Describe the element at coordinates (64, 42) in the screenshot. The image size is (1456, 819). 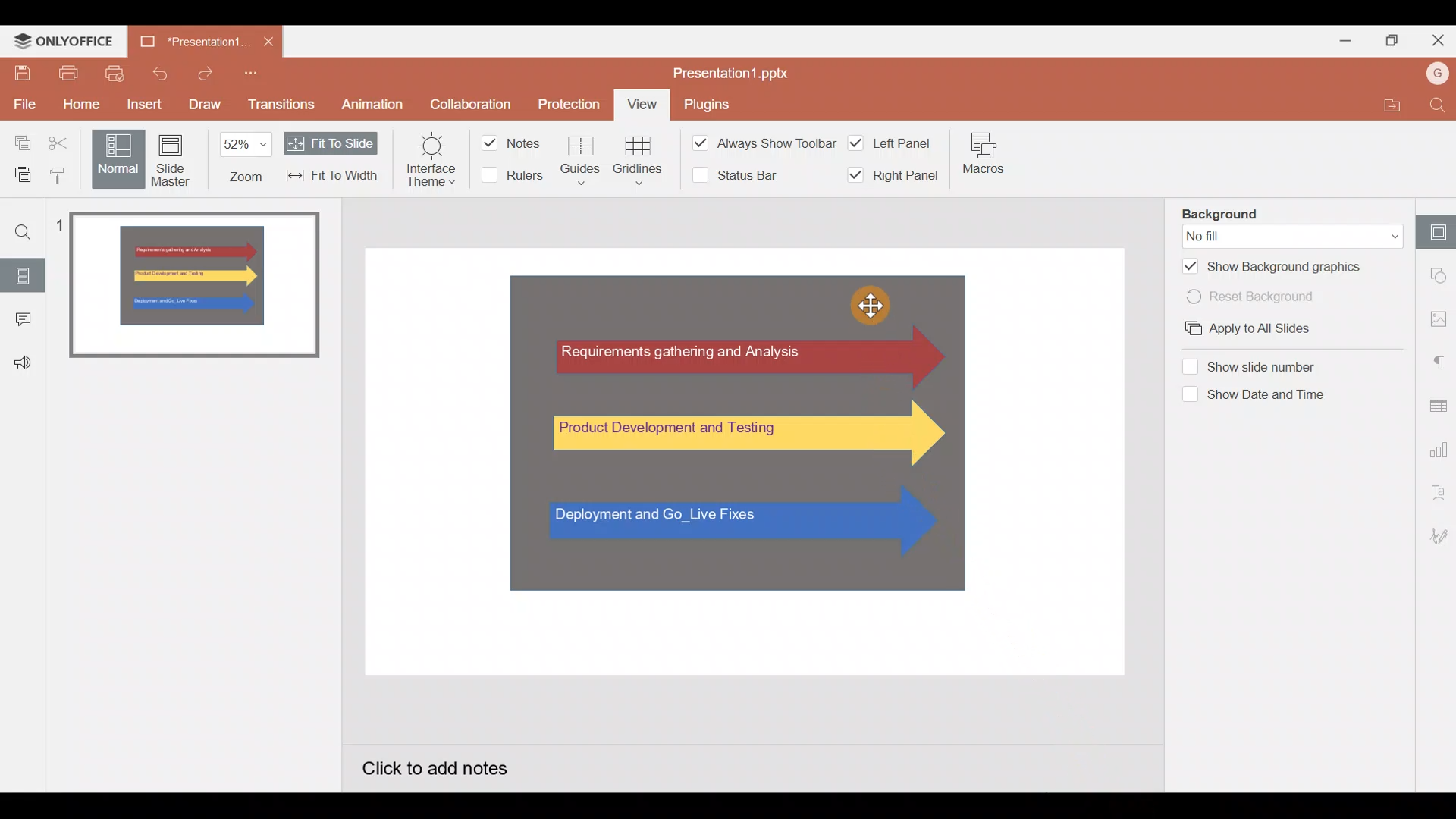
I see `ONLYOFFICE` at that location.